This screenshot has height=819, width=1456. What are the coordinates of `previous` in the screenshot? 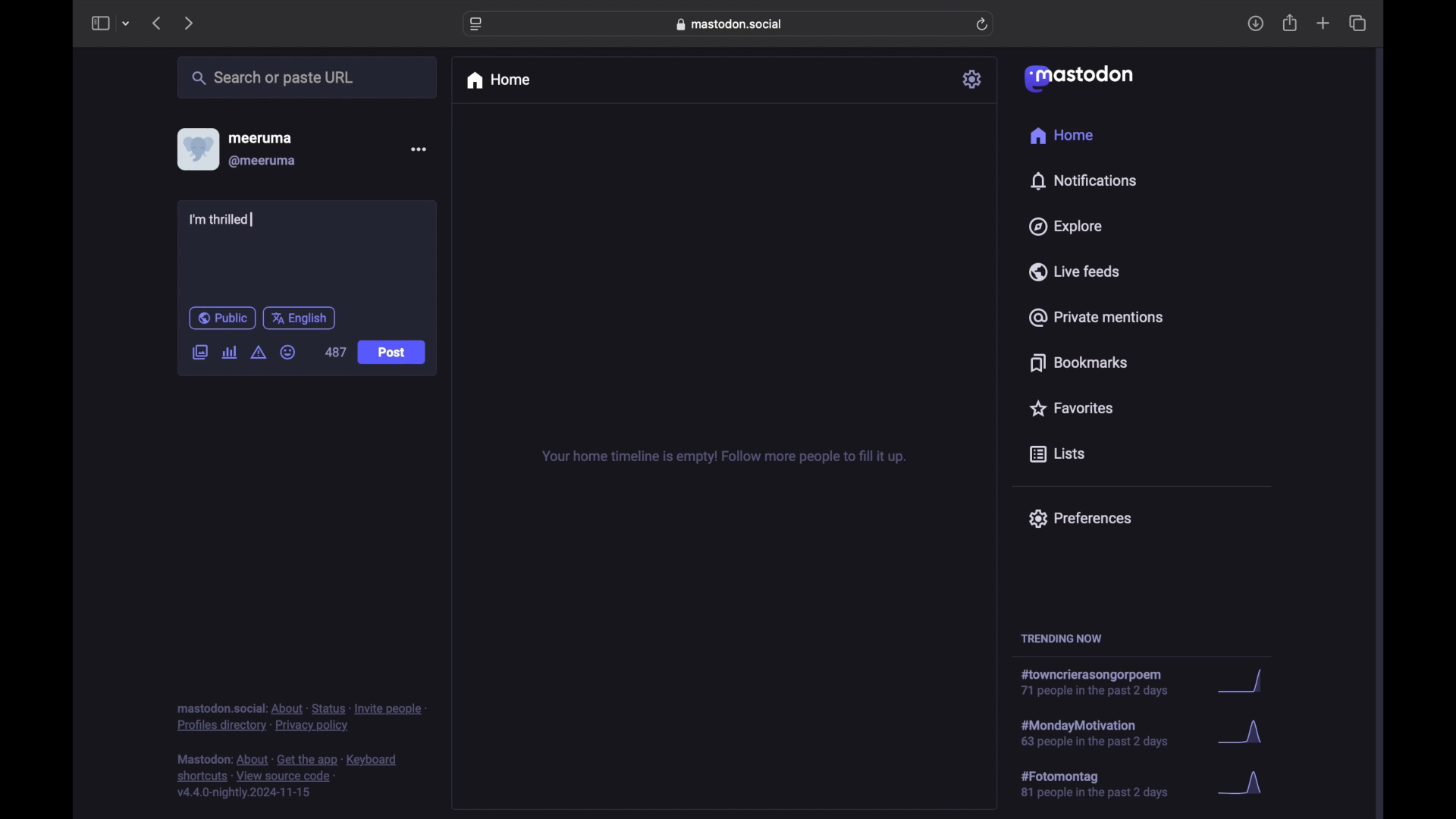 It's located at (156, 23).